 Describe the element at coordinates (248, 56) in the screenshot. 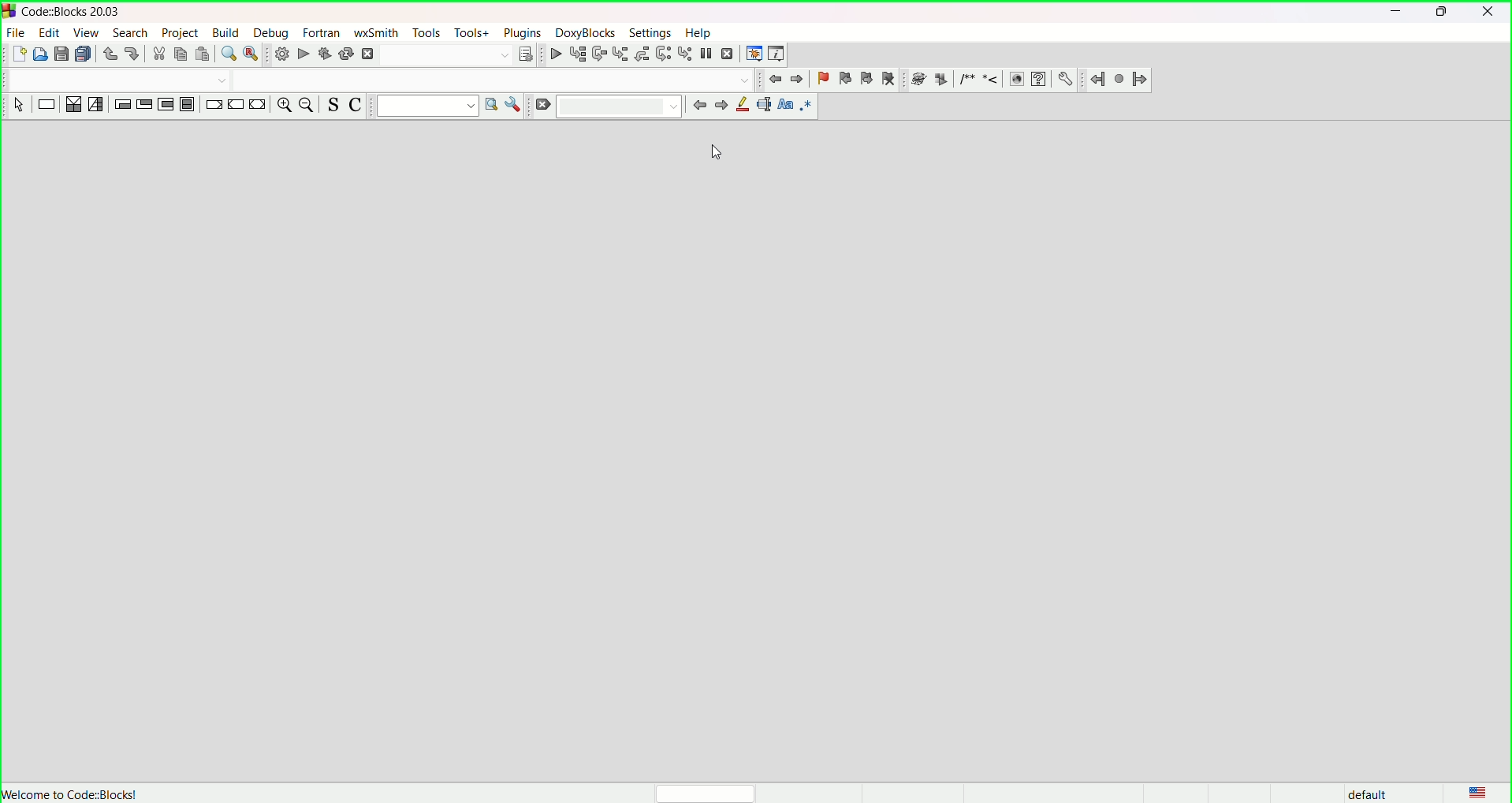

I see `find and replace` at that location.